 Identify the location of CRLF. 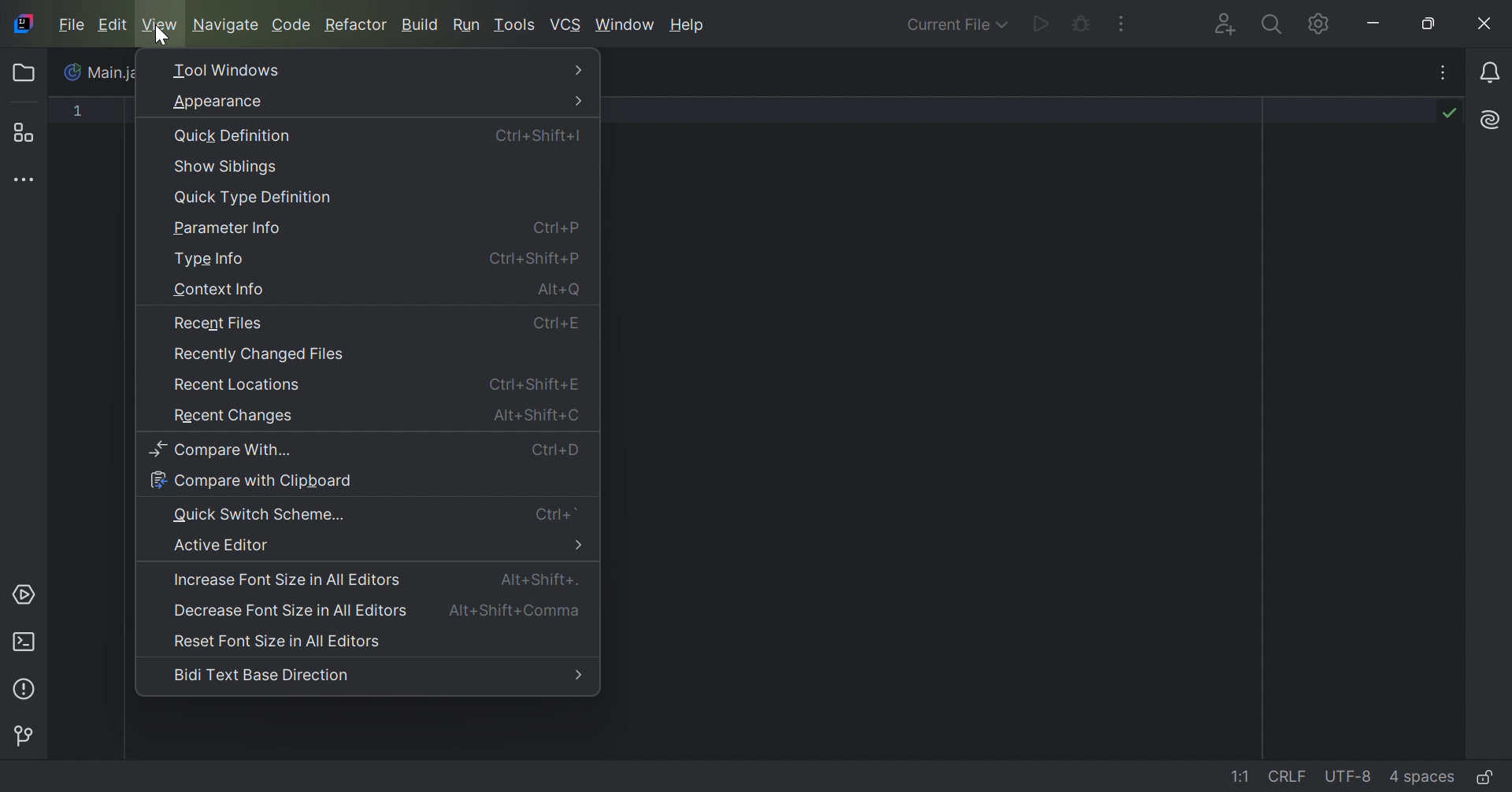
(1289, 775).